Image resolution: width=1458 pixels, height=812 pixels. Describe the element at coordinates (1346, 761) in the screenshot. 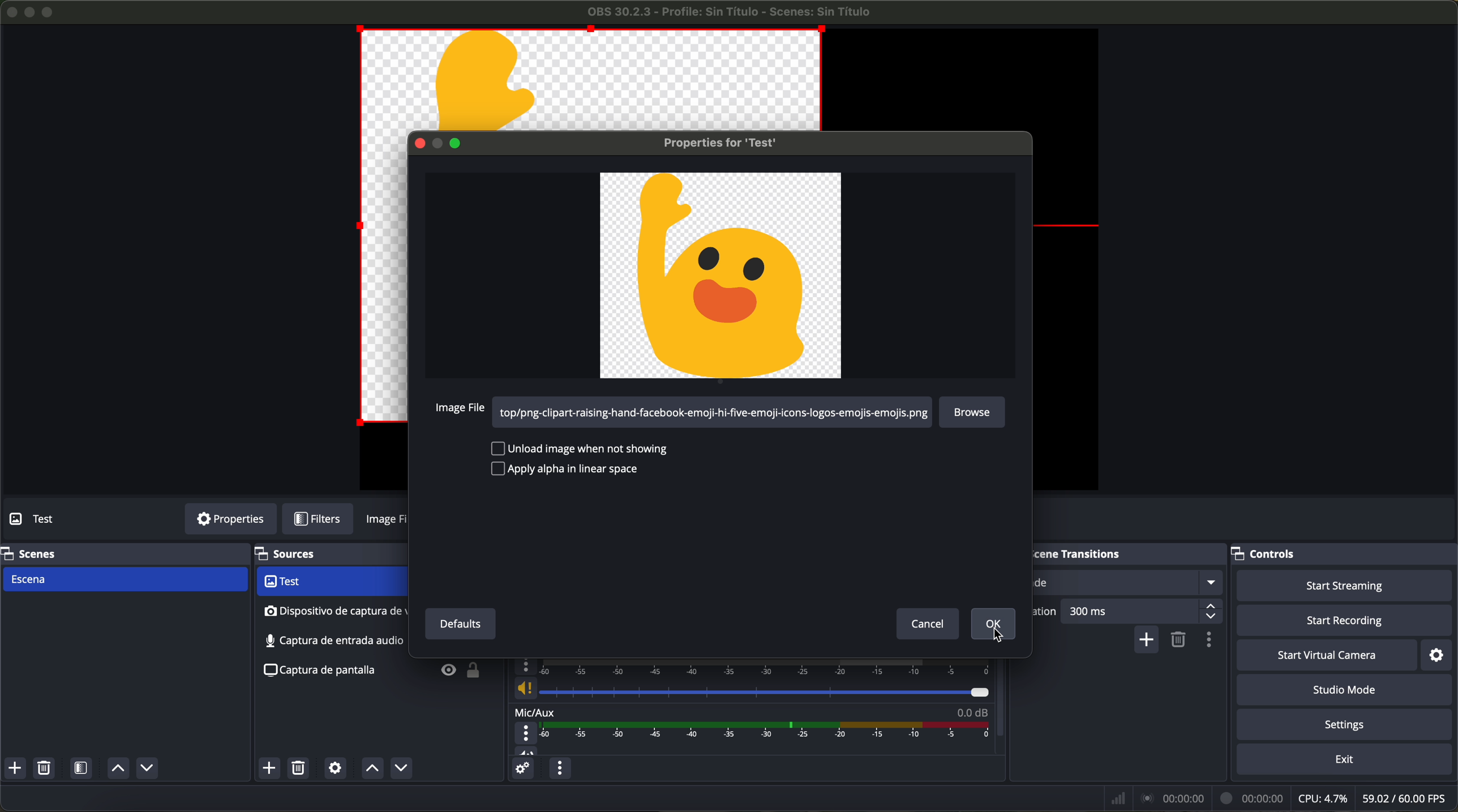

I see `exit` at that location.